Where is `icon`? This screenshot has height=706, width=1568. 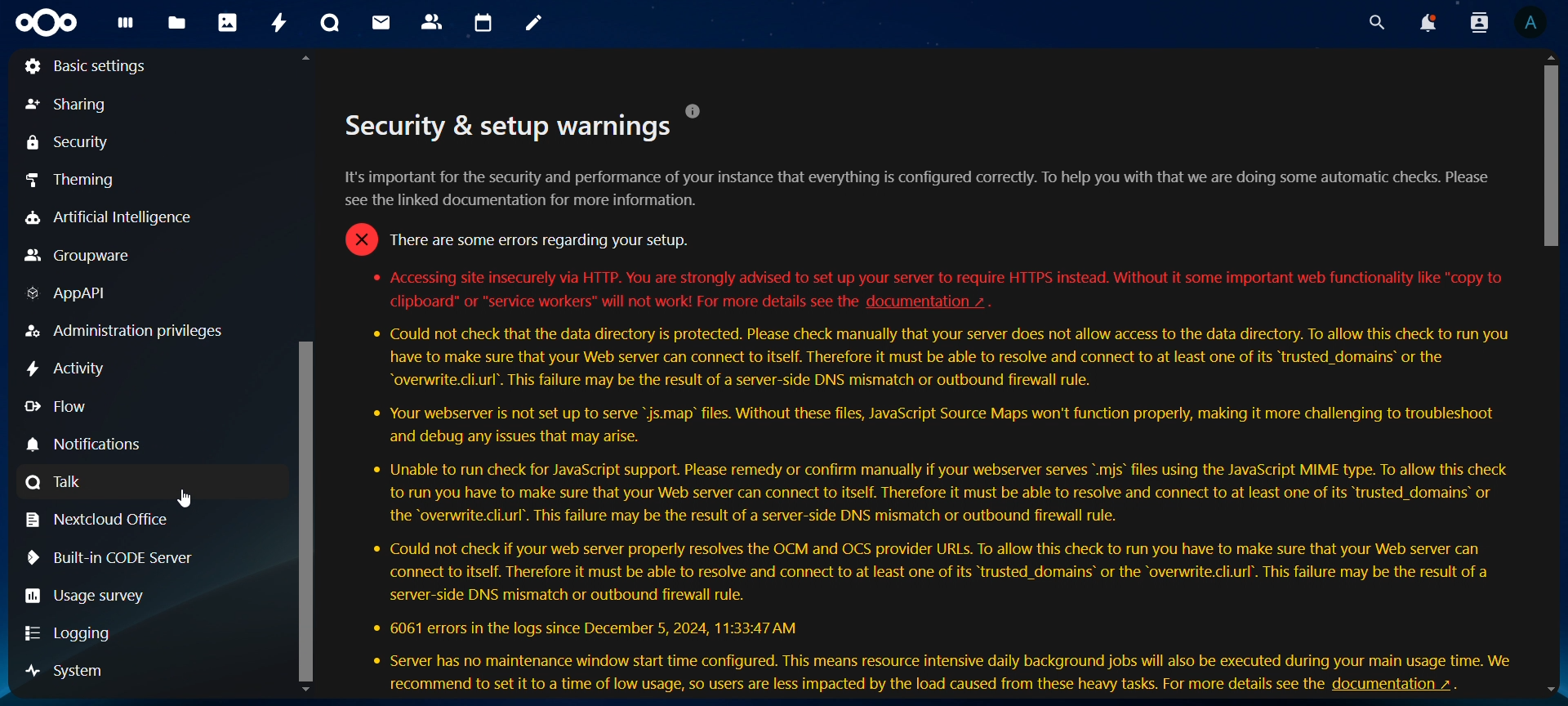
icon is located at coordinates (47, 24).